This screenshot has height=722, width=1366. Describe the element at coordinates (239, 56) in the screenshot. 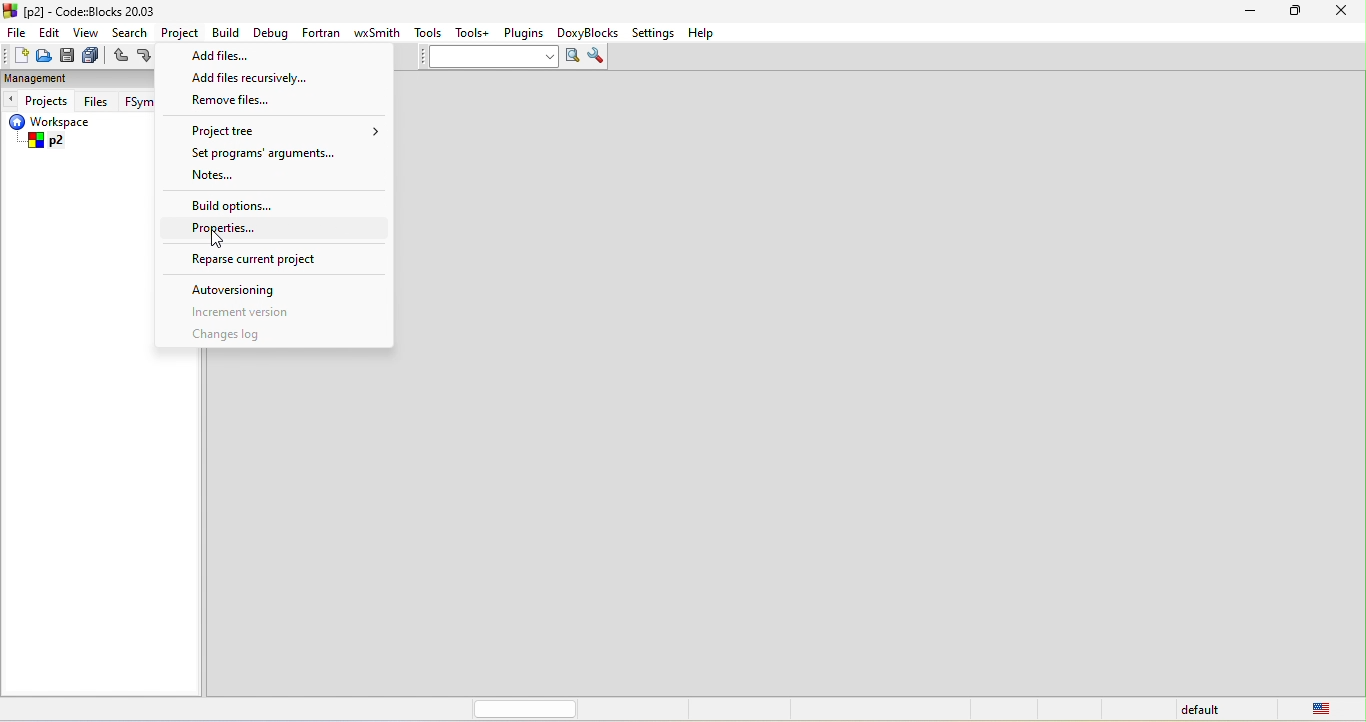

I see `add files` at that location.